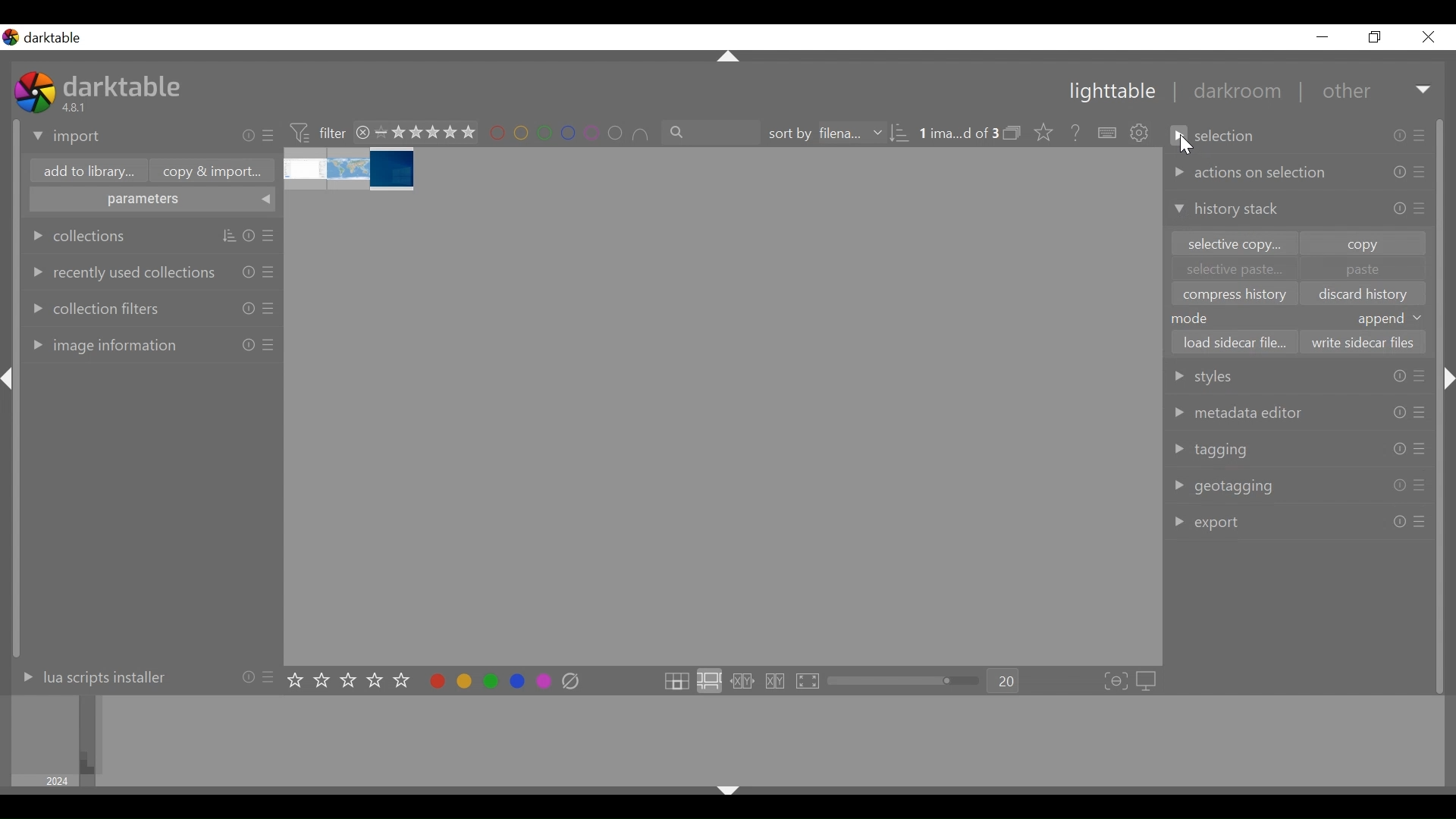 The height and width of the screenshot is (819, 1456). I want to click on info, so click(1400, 173).